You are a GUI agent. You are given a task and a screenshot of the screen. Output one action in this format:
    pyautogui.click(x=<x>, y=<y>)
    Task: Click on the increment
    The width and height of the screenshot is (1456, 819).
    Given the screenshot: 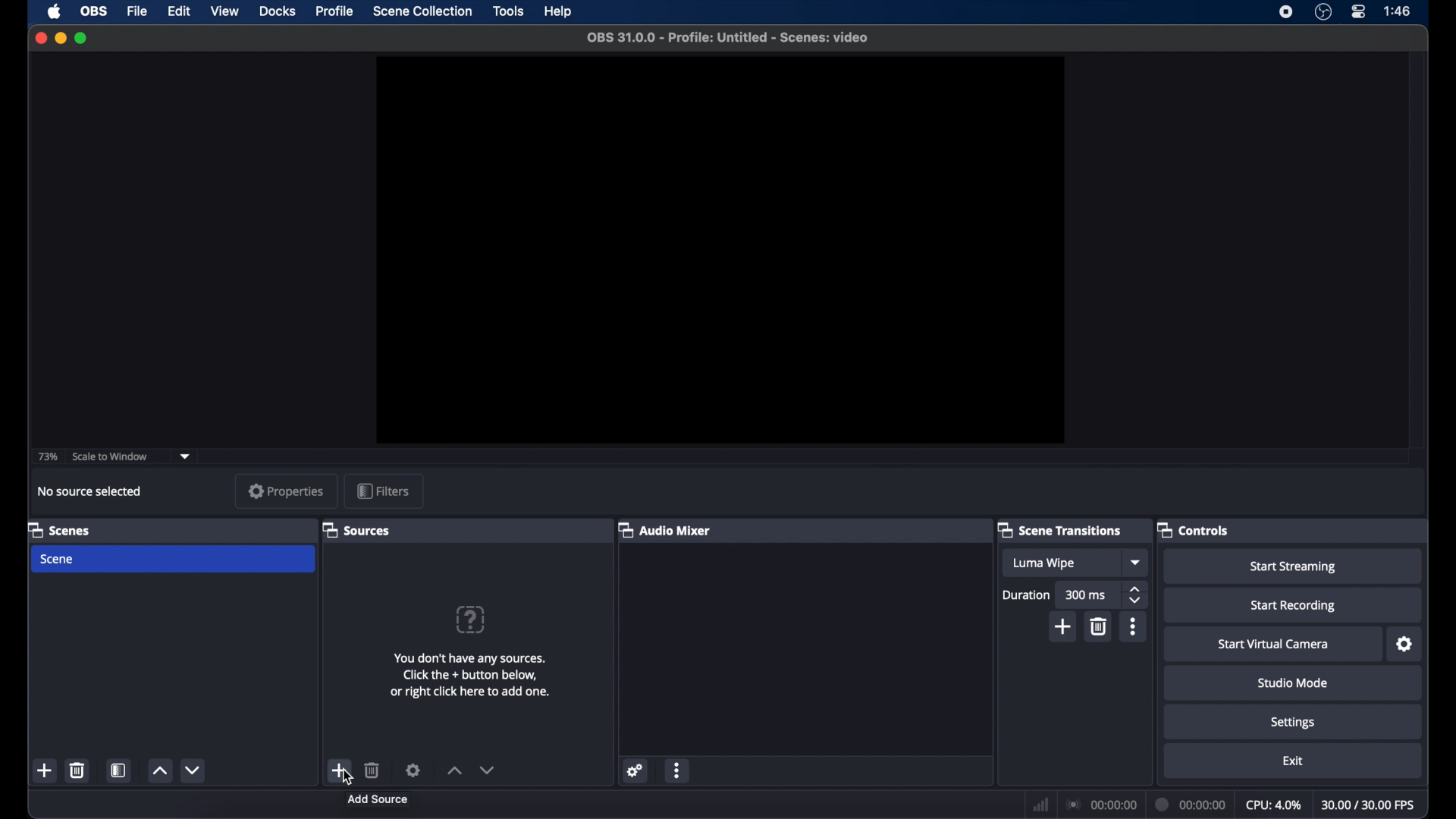 What is the action you would take?
    pyautogui.click(x=160, y=770)
    